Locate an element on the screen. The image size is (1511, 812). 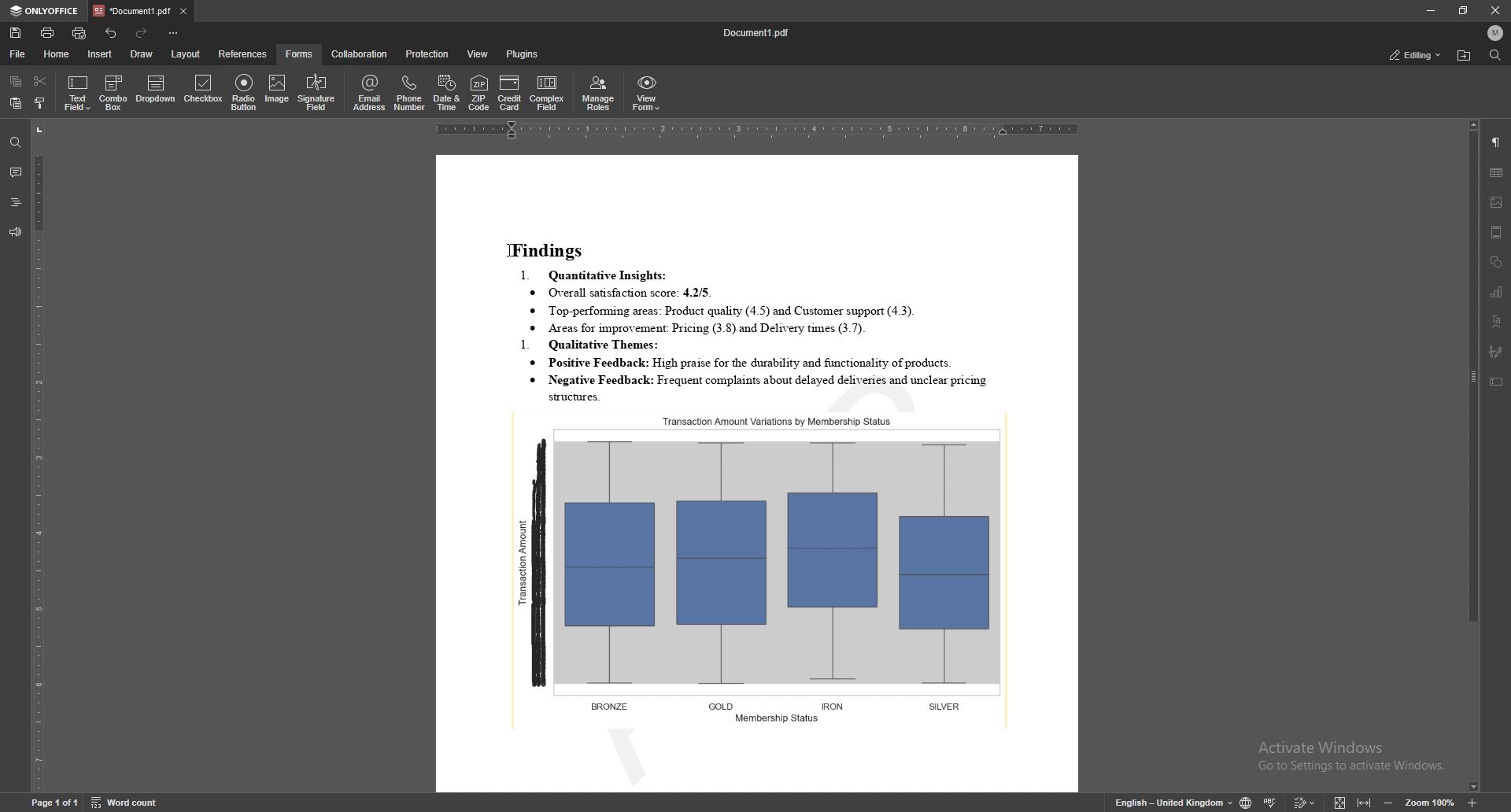
combo box is located at coordinates (115, 92).